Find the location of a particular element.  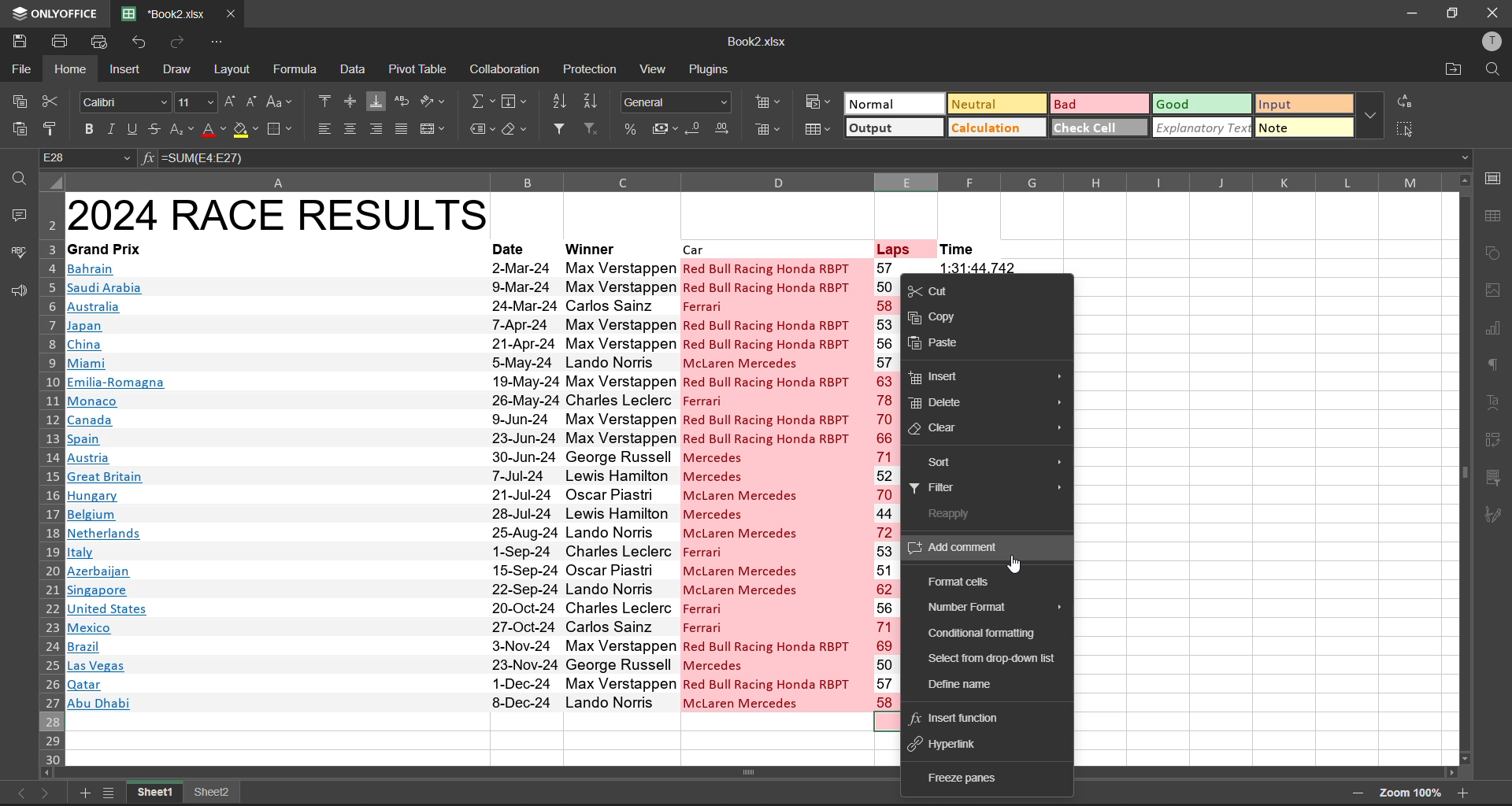

collaboration is located at coordinates (507, 70).